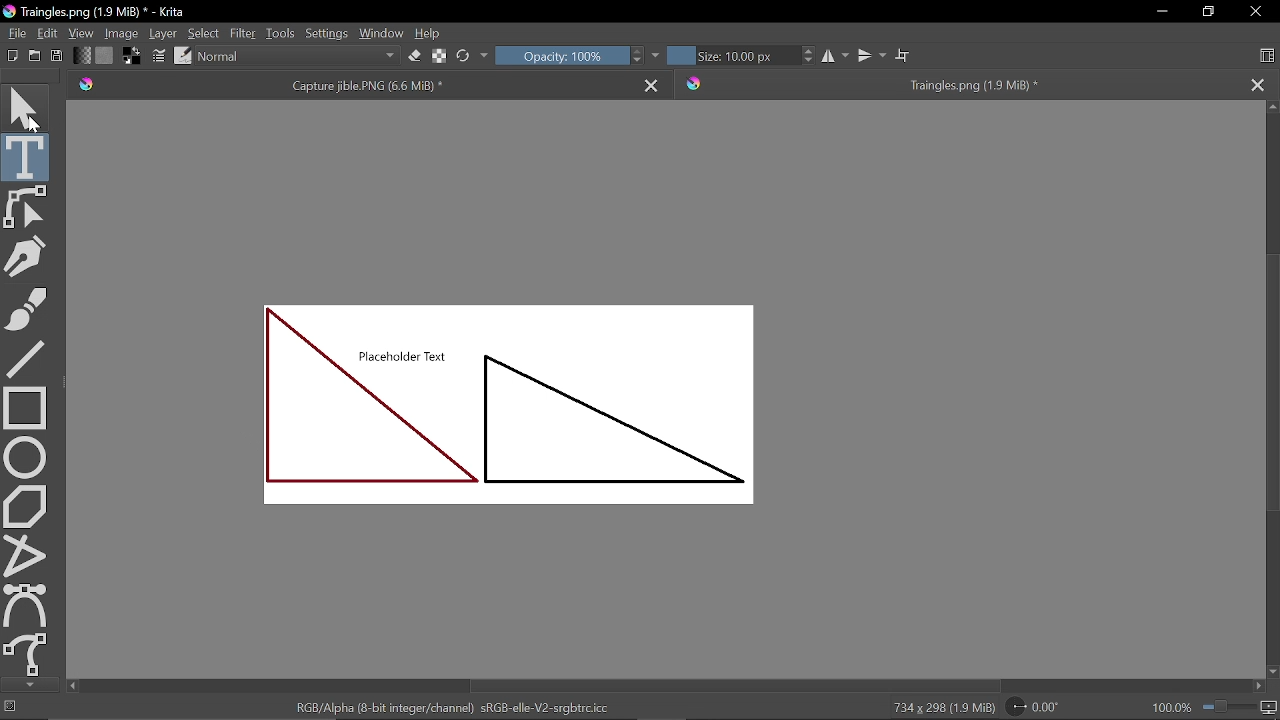 This screenshot has height=720, width=1280. I want to click on Rotate, so click(1033, 708).